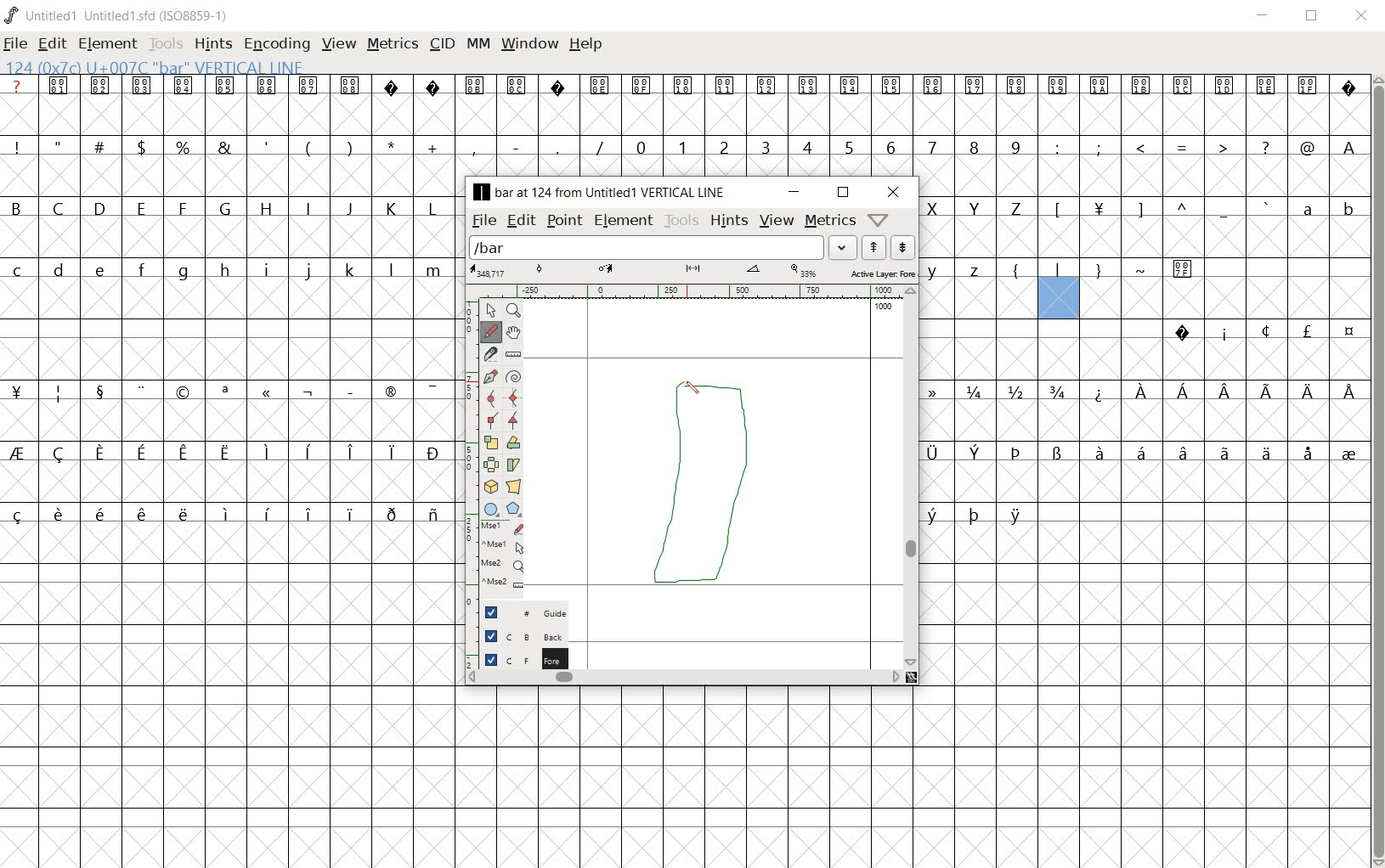  I want to click on load word list, so click(648, 247).